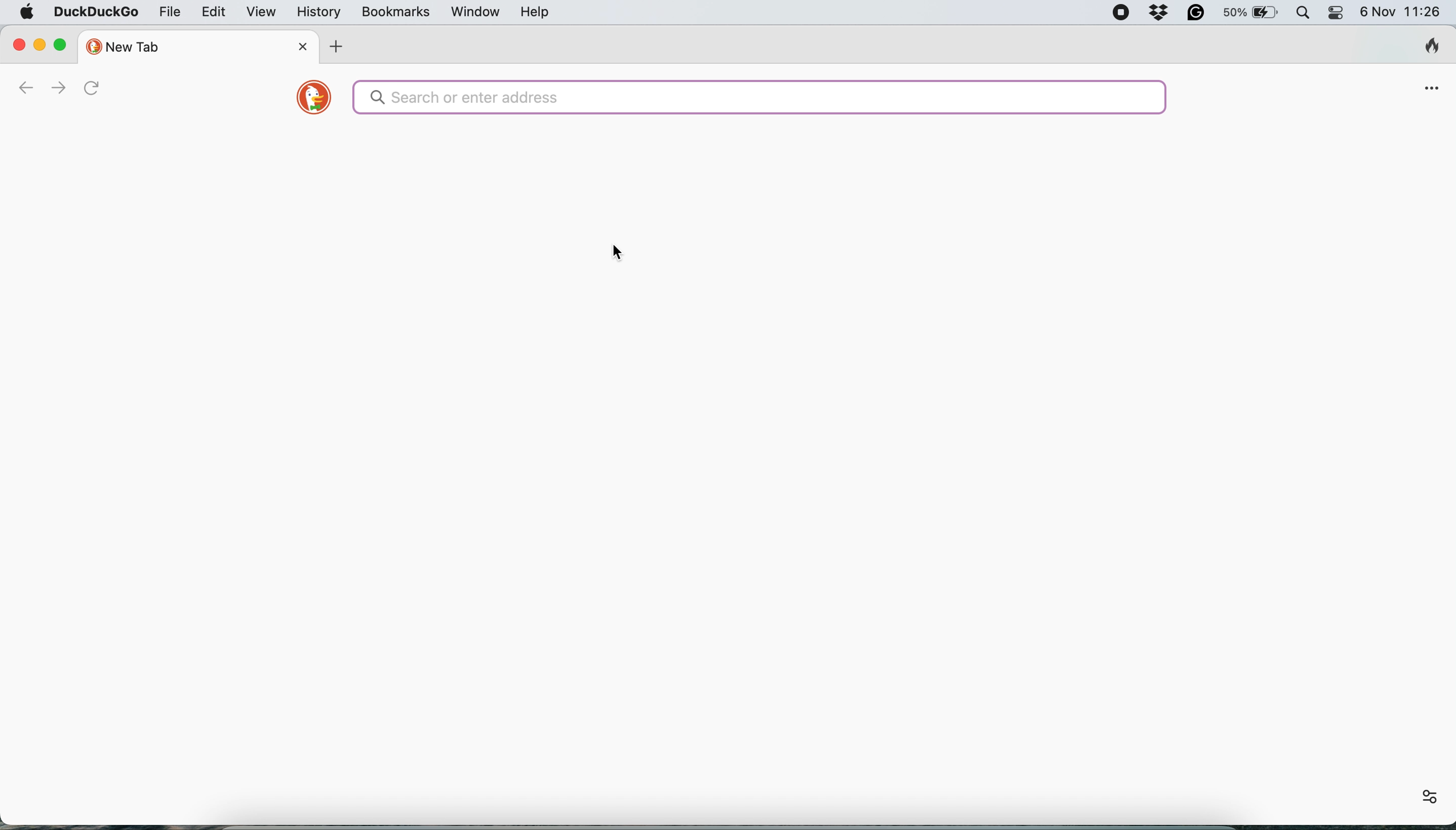 Image resolution: width=1456 pixels, height=830 pixels. Describe the element at coordinates (316, 12) in the screenshot. I see `history` at that location.